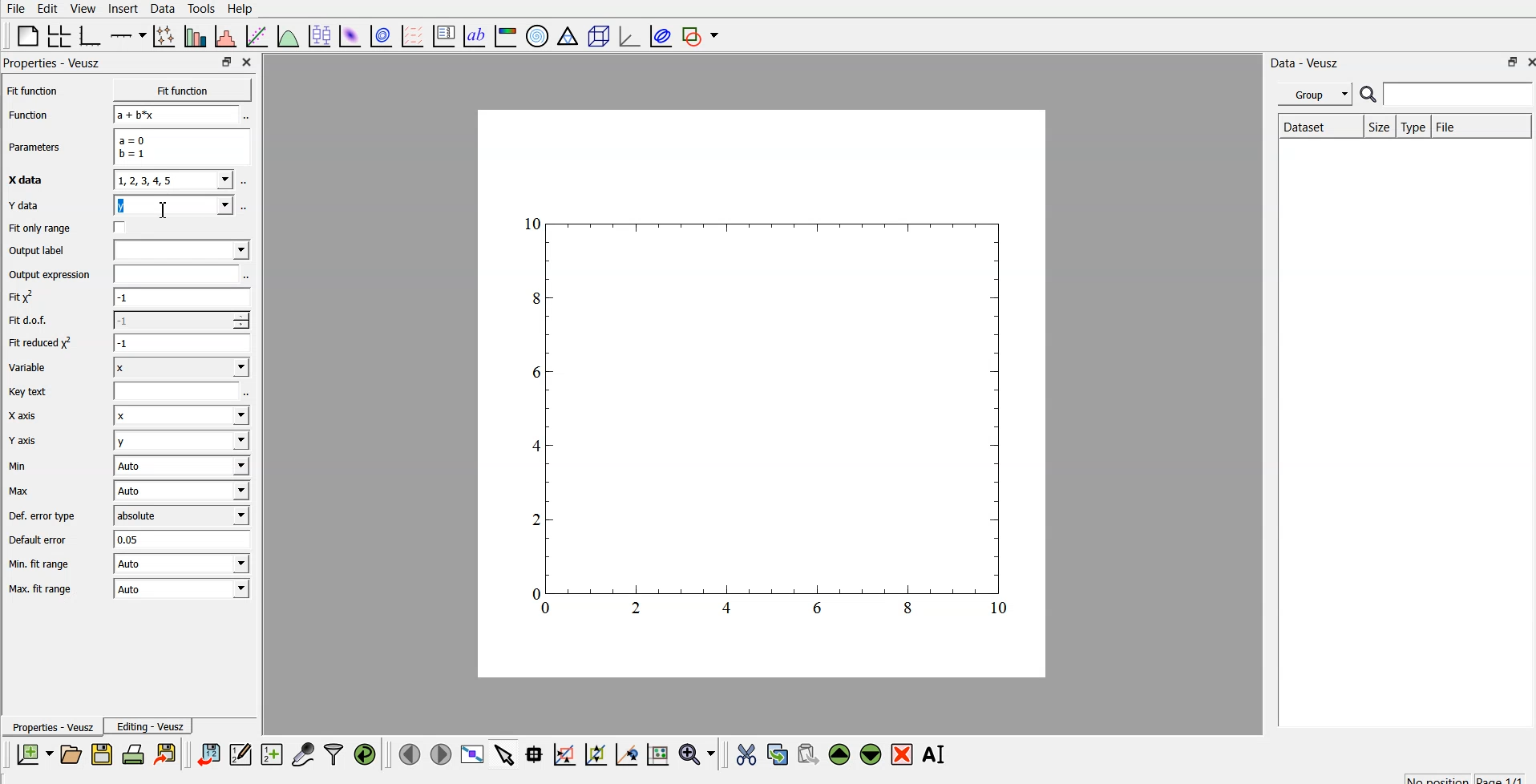 The width and height of the screenshot is (1536, 784). Describe the element at coordinates (39, 491) in the screenshot. I see `Max` at that location.